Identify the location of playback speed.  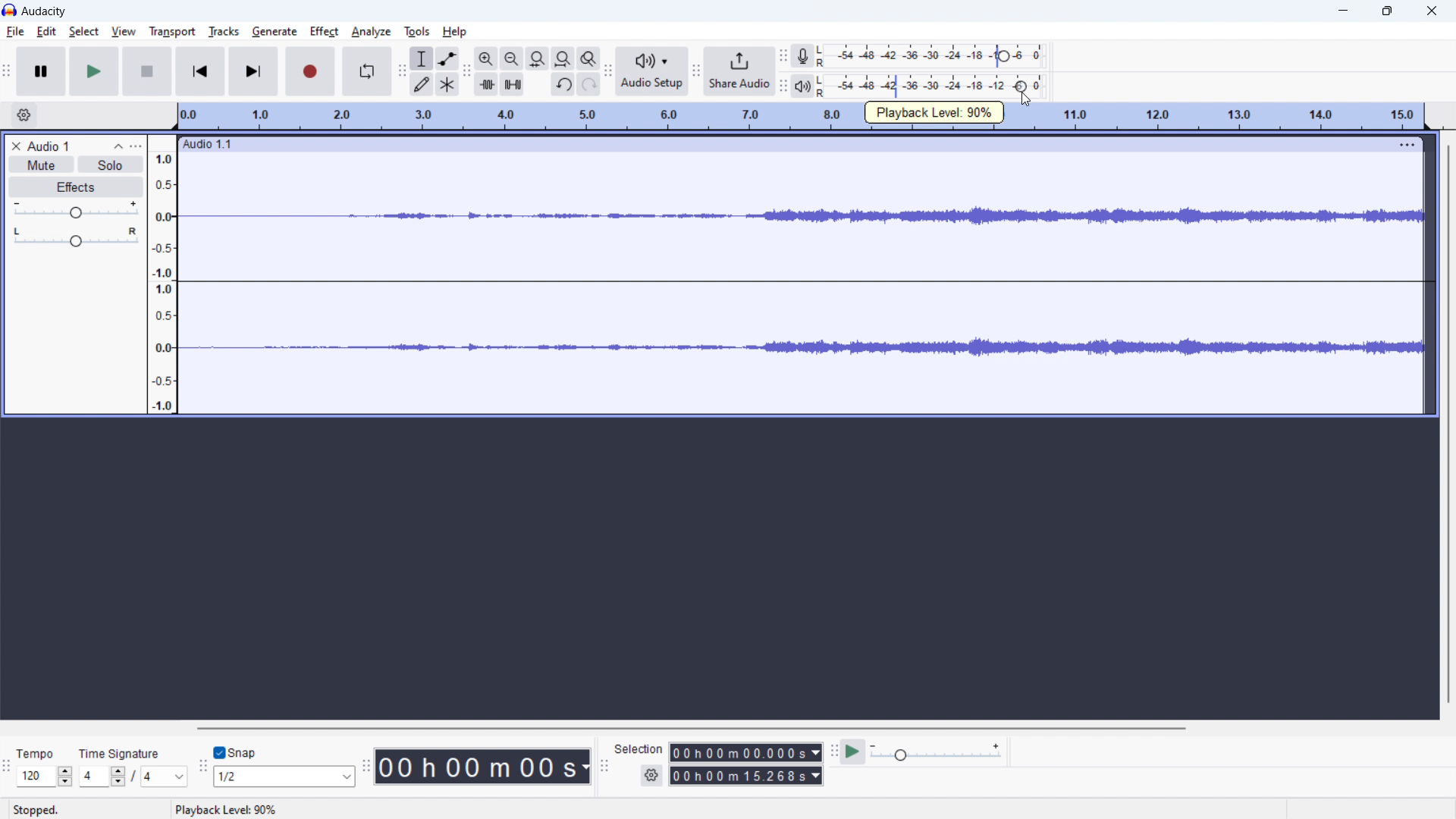
(936, 752).